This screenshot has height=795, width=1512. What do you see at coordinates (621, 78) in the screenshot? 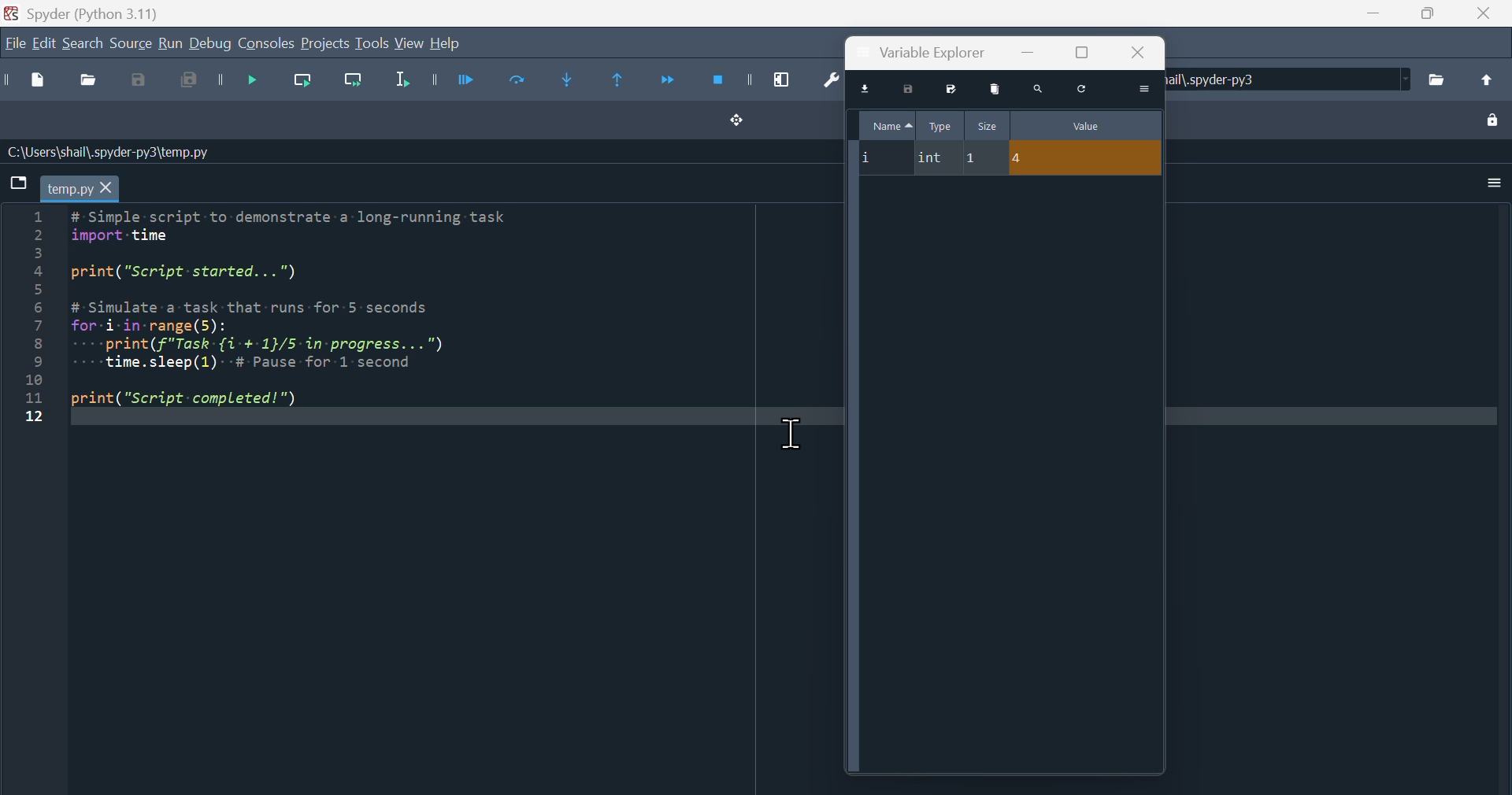
I see `Execute until same function returns` at bounding box center [621, 78].